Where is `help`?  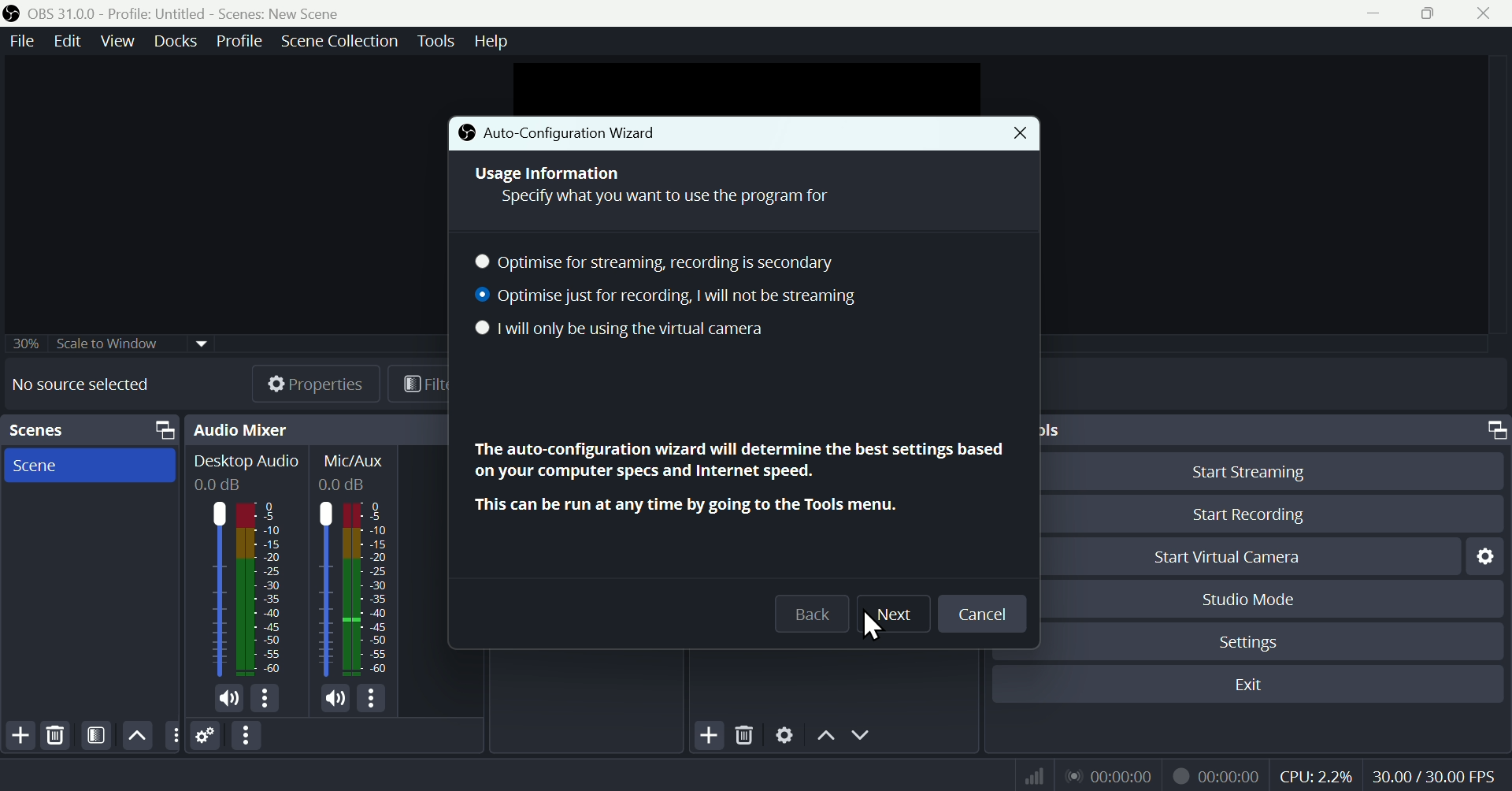 help is located at coordinates (494, 39).